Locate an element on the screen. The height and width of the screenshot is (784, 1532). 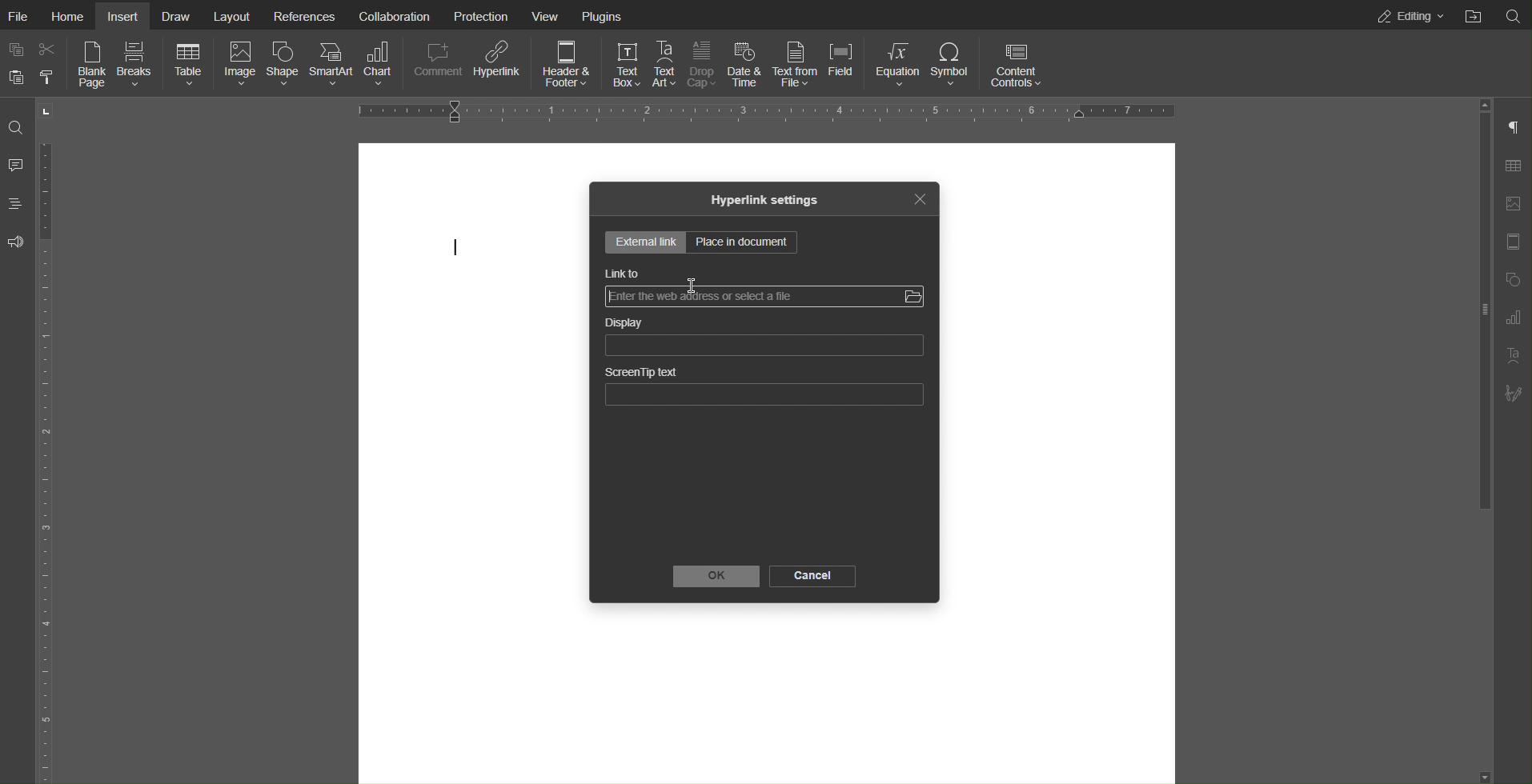
Plugins is located at coordinates (603, 15).